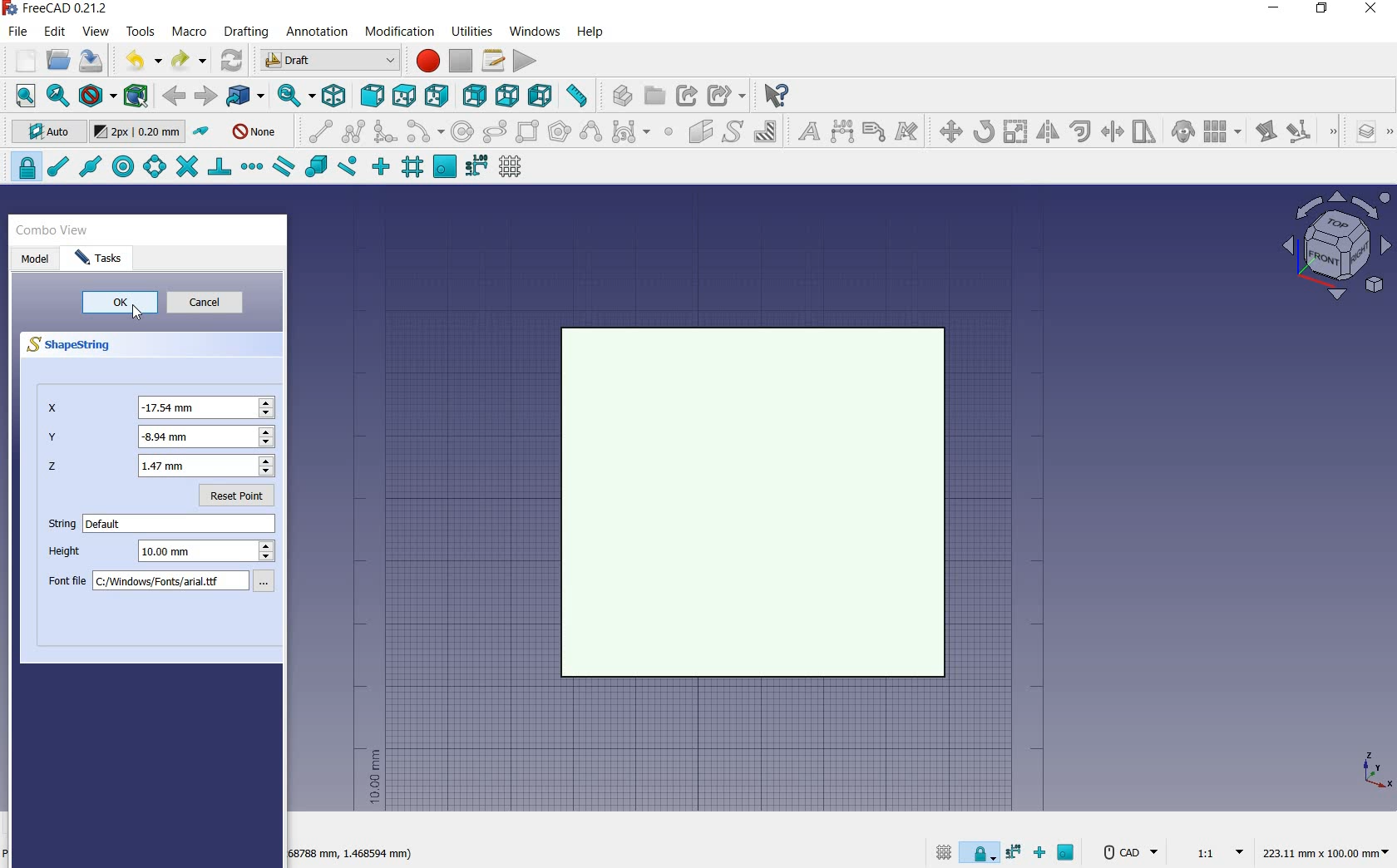 The width and height of the screenshot is (1397, 868). Describe the element at coordinates (160, 438) in the screenshot. I see `y scaling` at that location.